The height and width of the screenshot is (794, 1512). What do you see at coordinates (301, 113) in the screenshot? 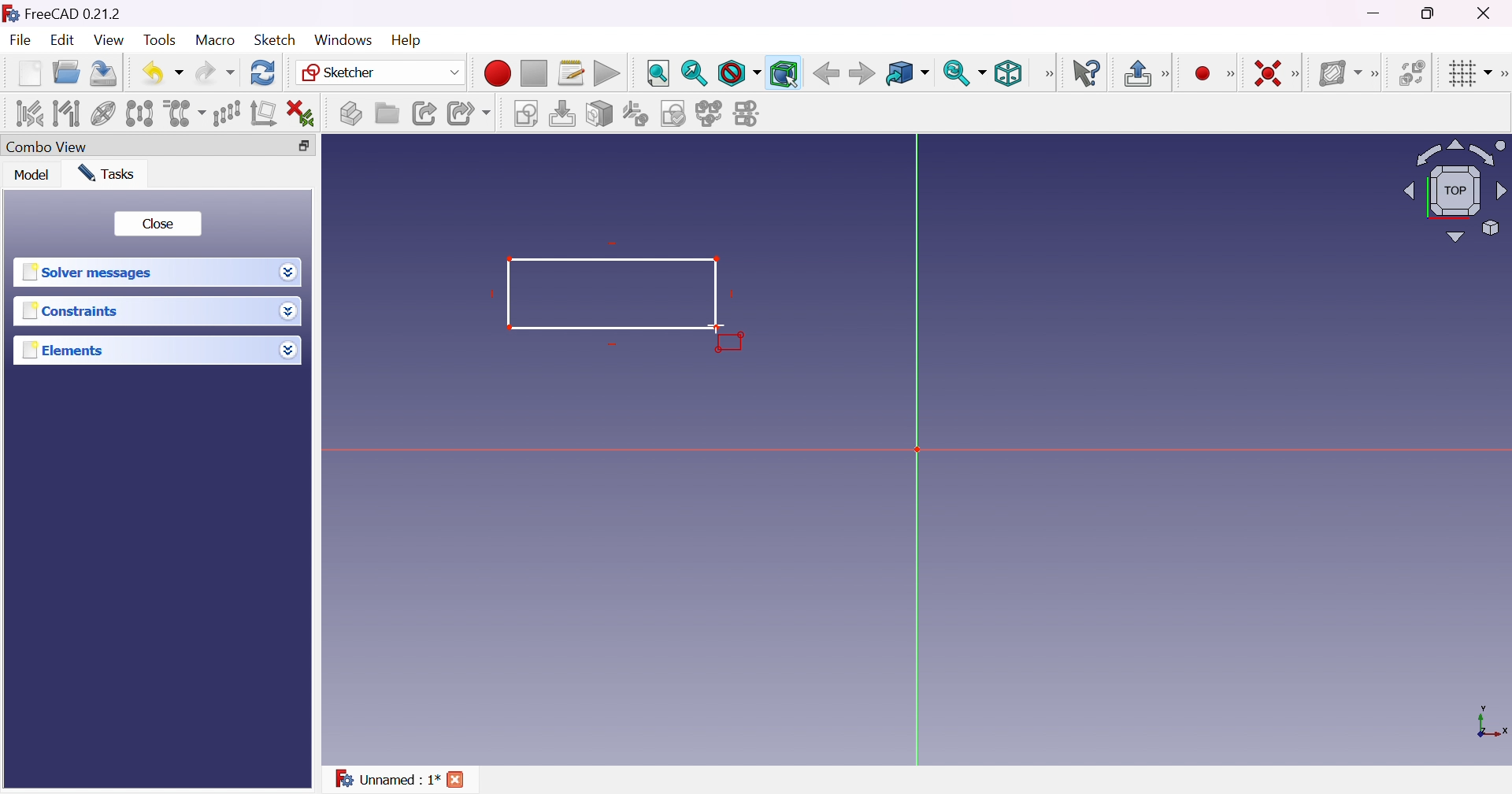
I see `Delete all constraints` at bounding box center [301, 113].